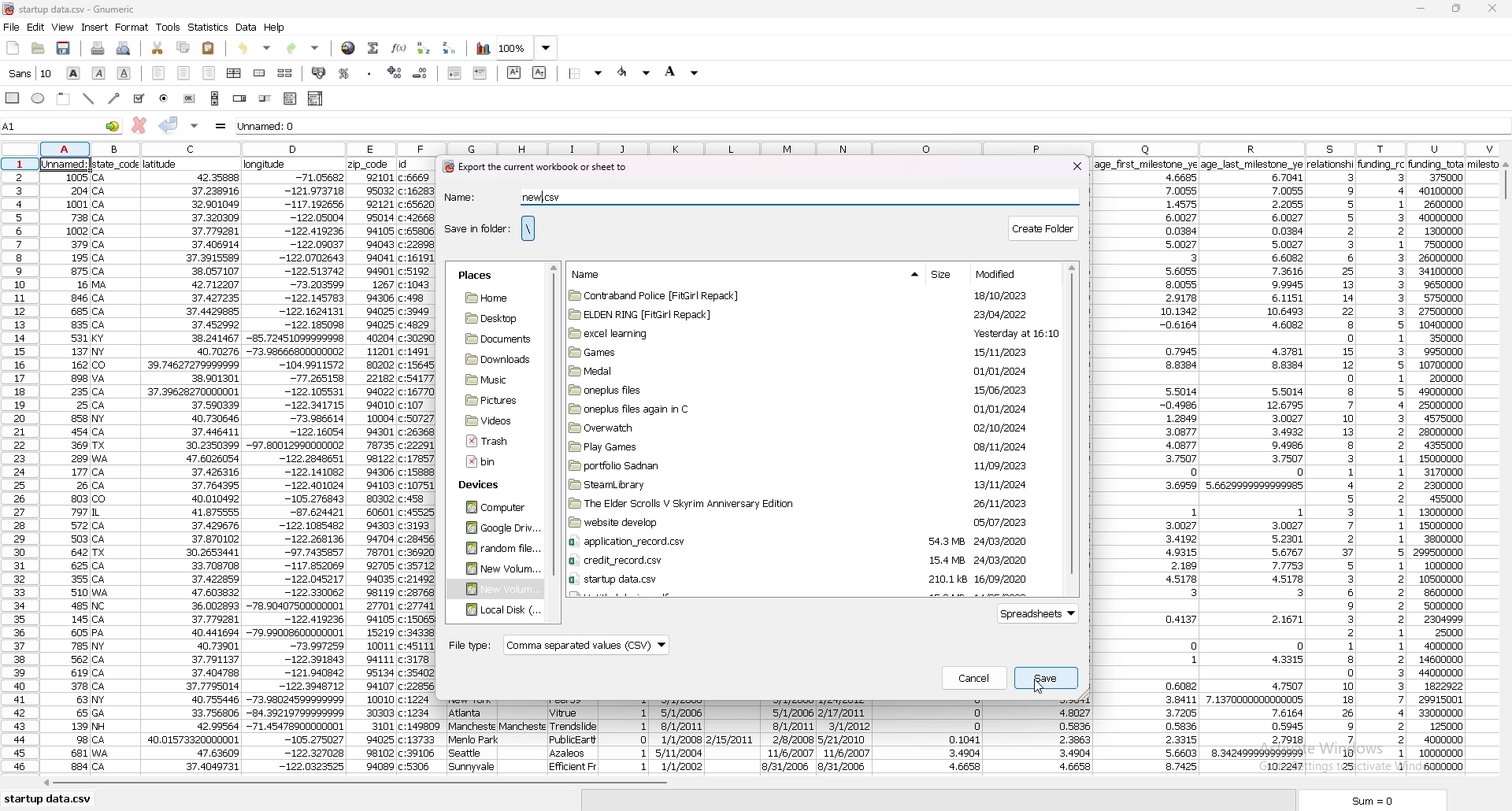  I want to click on folder, so click(496, 548).